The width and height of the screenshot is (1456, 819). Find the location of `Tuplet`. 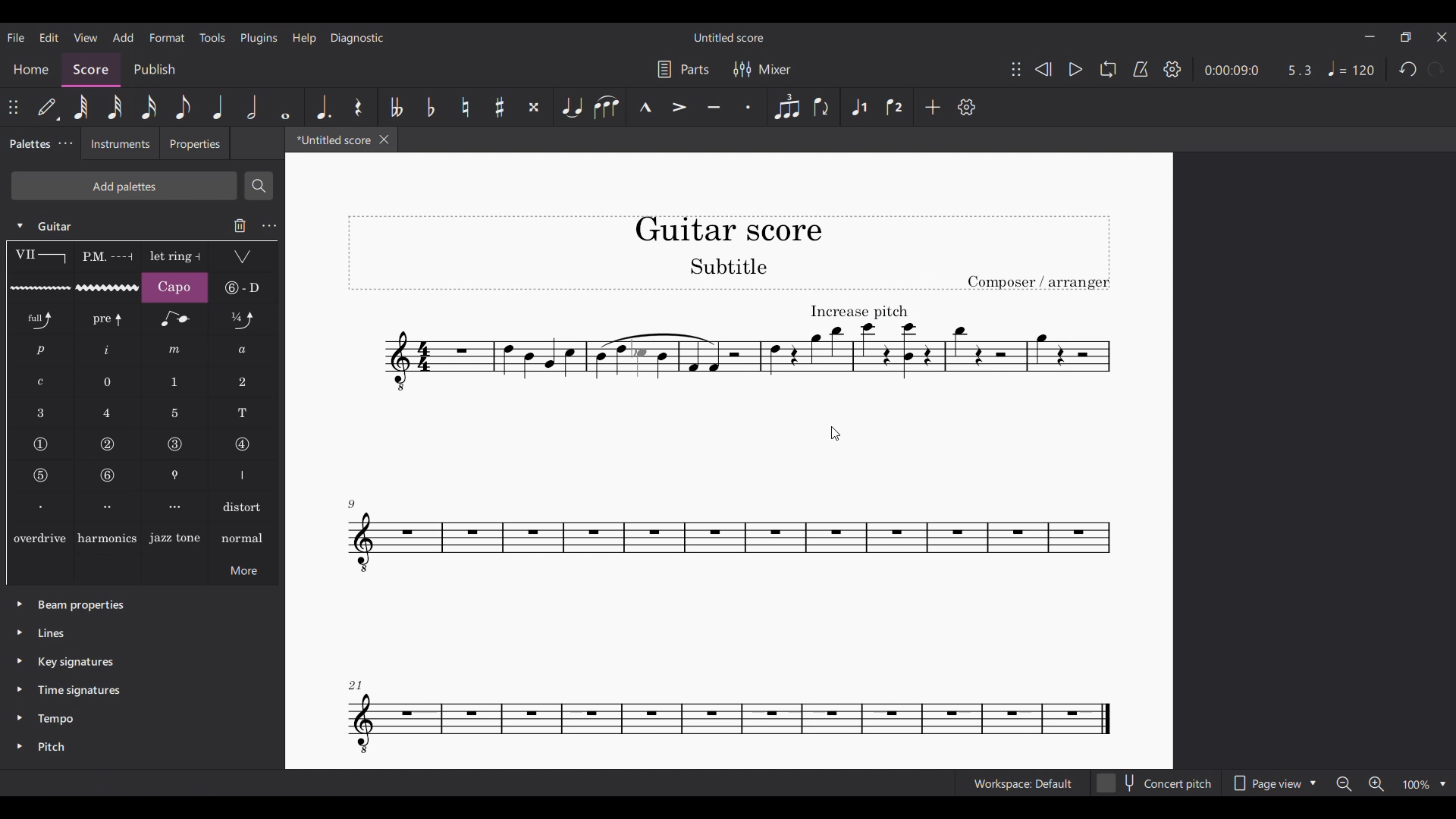

Tuplet is located at coordinates (786, 107).